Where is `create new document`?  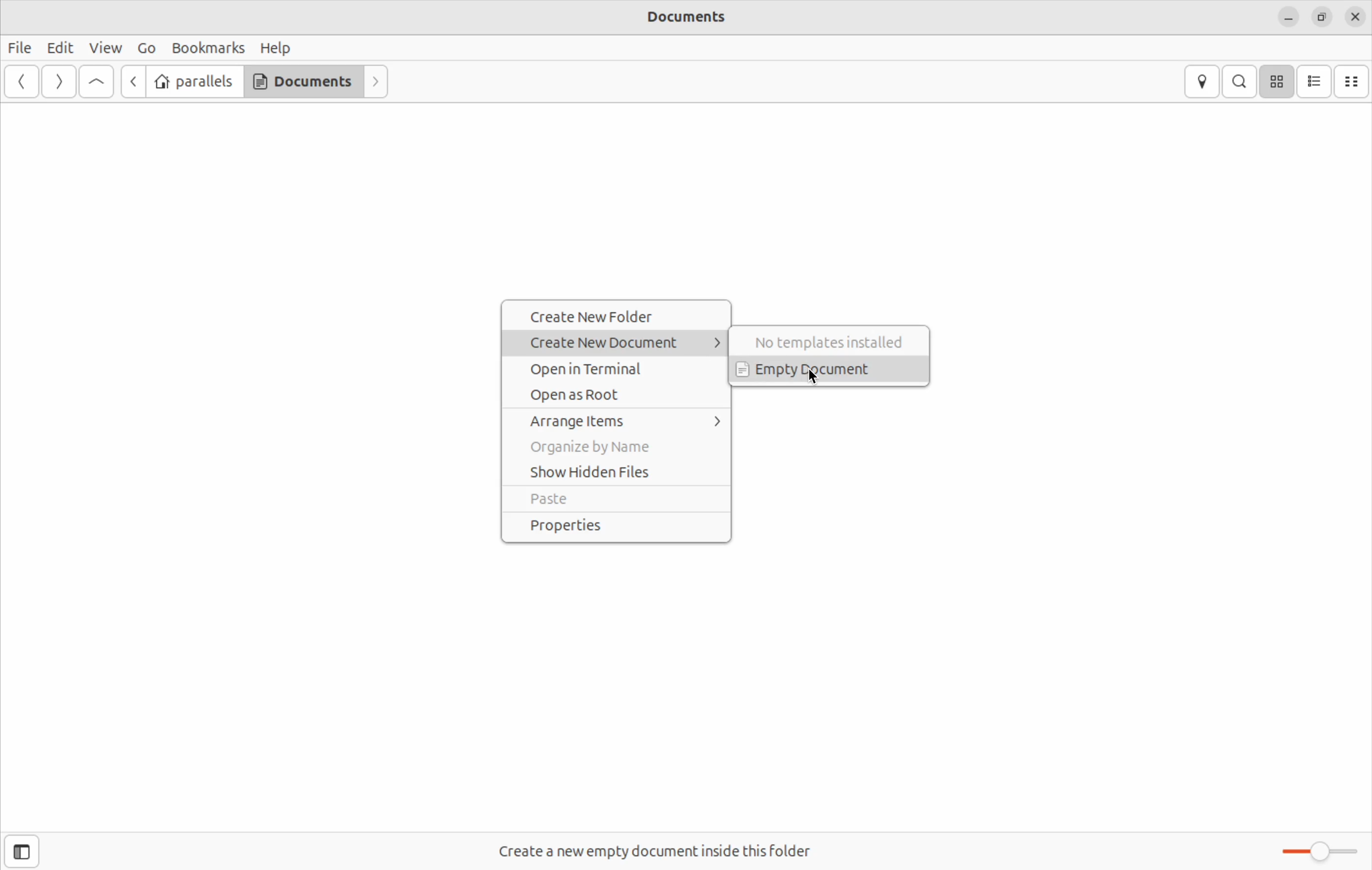
create new document is located at coordinates (623, 341).